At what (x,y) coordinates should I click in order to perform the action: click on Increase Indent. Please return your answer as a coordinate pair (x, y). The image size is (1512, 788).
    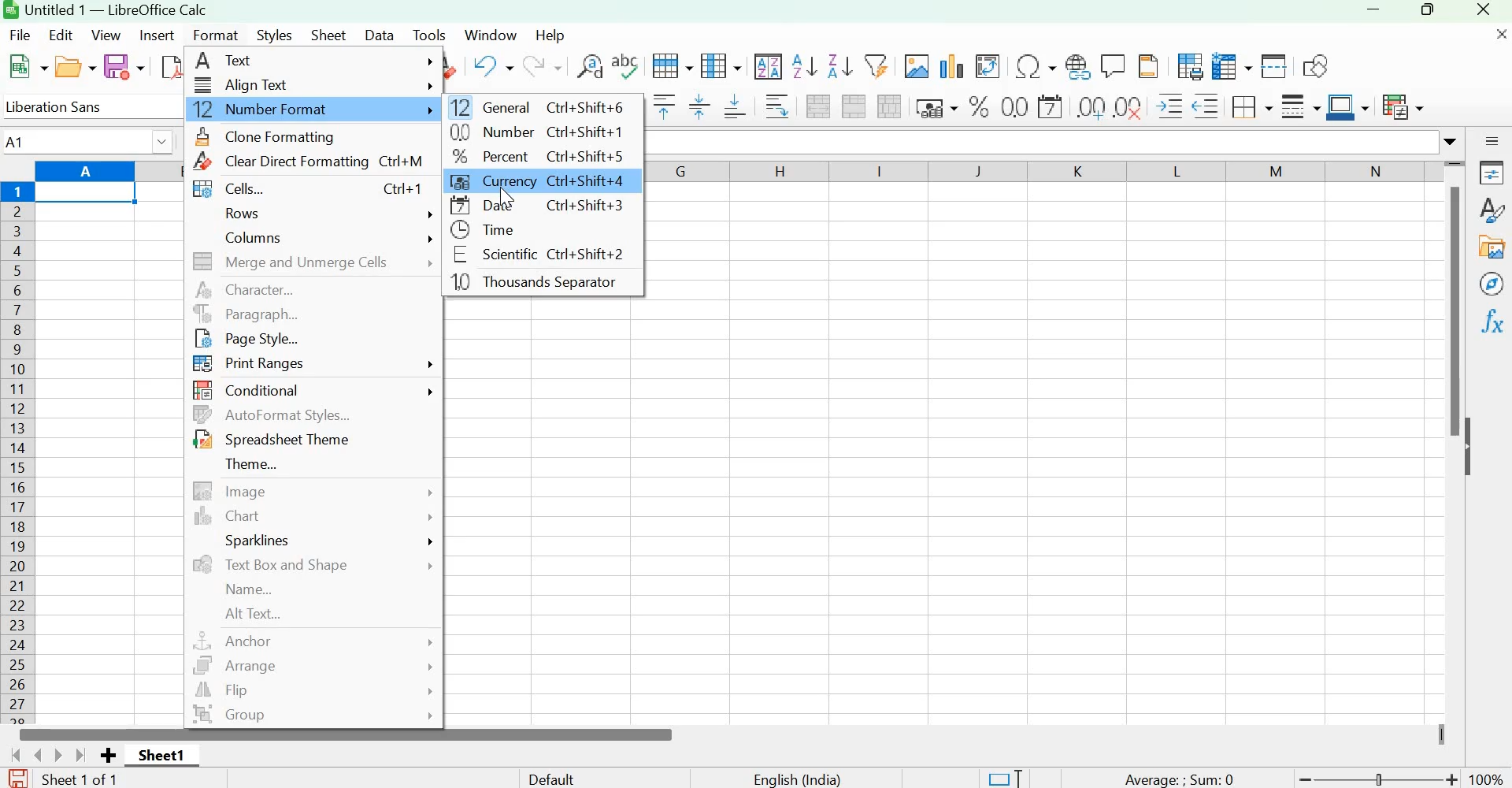
    Looking at the image, I should click on (1171, 105).